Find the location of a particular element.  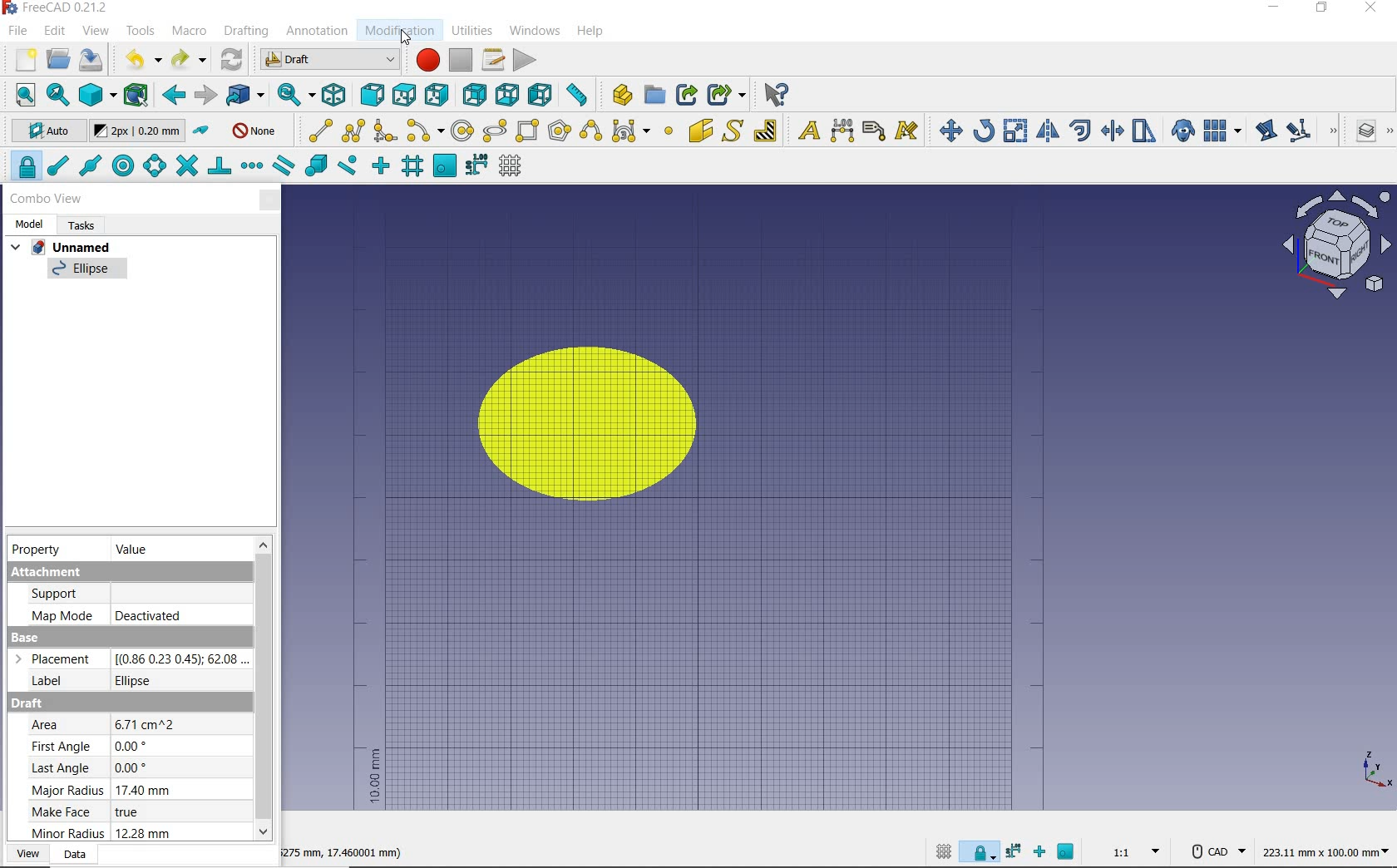

snap parallel is located at coordinates (284, 165).